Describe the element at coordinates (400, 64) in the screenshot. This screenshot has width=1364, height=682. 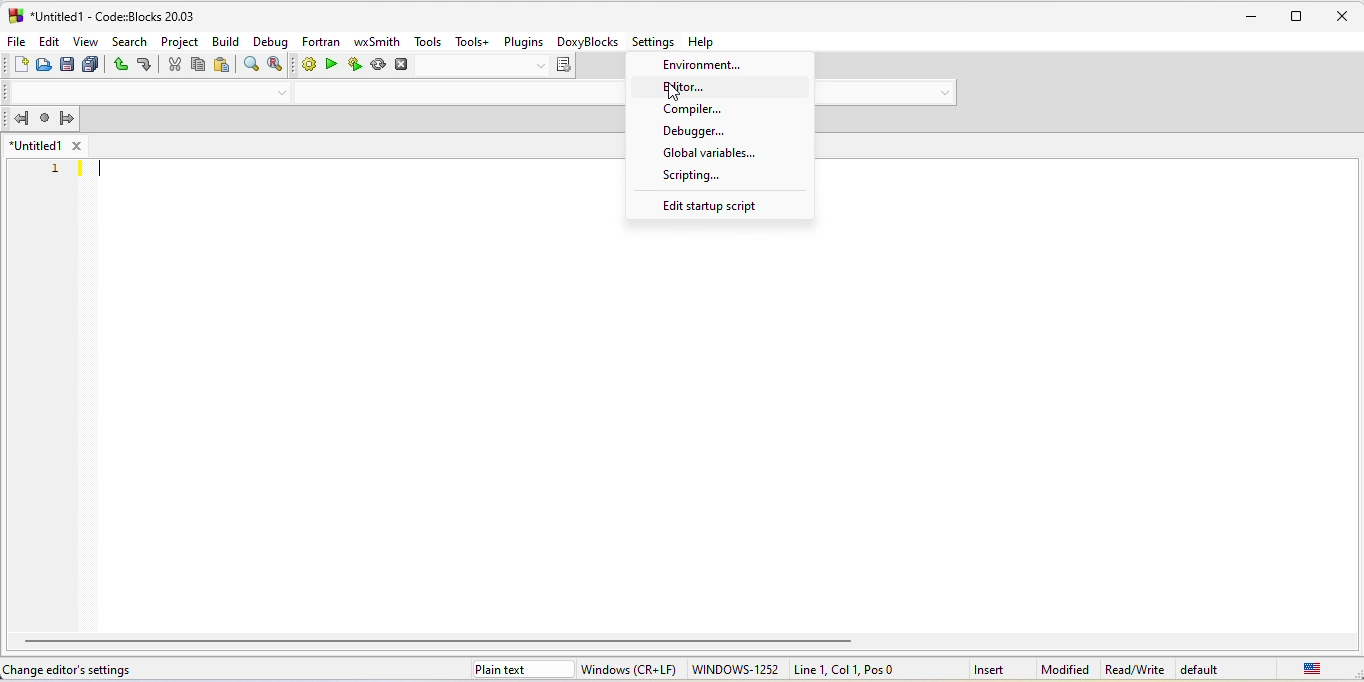
I see `abort` at that location.